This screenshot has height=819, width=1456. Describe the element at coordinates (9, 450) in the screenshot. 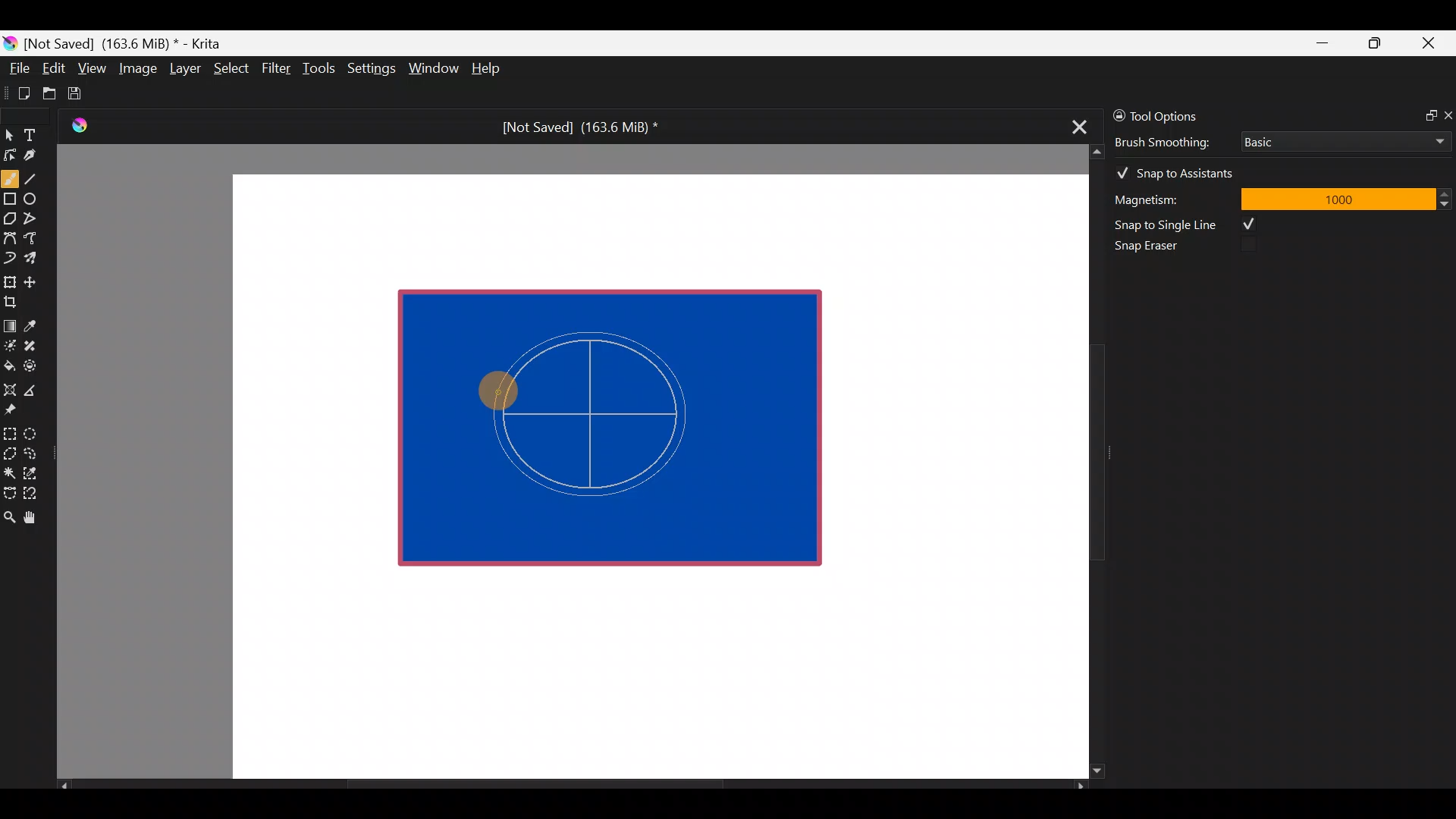

I see `Polygonal section tool` at that location.